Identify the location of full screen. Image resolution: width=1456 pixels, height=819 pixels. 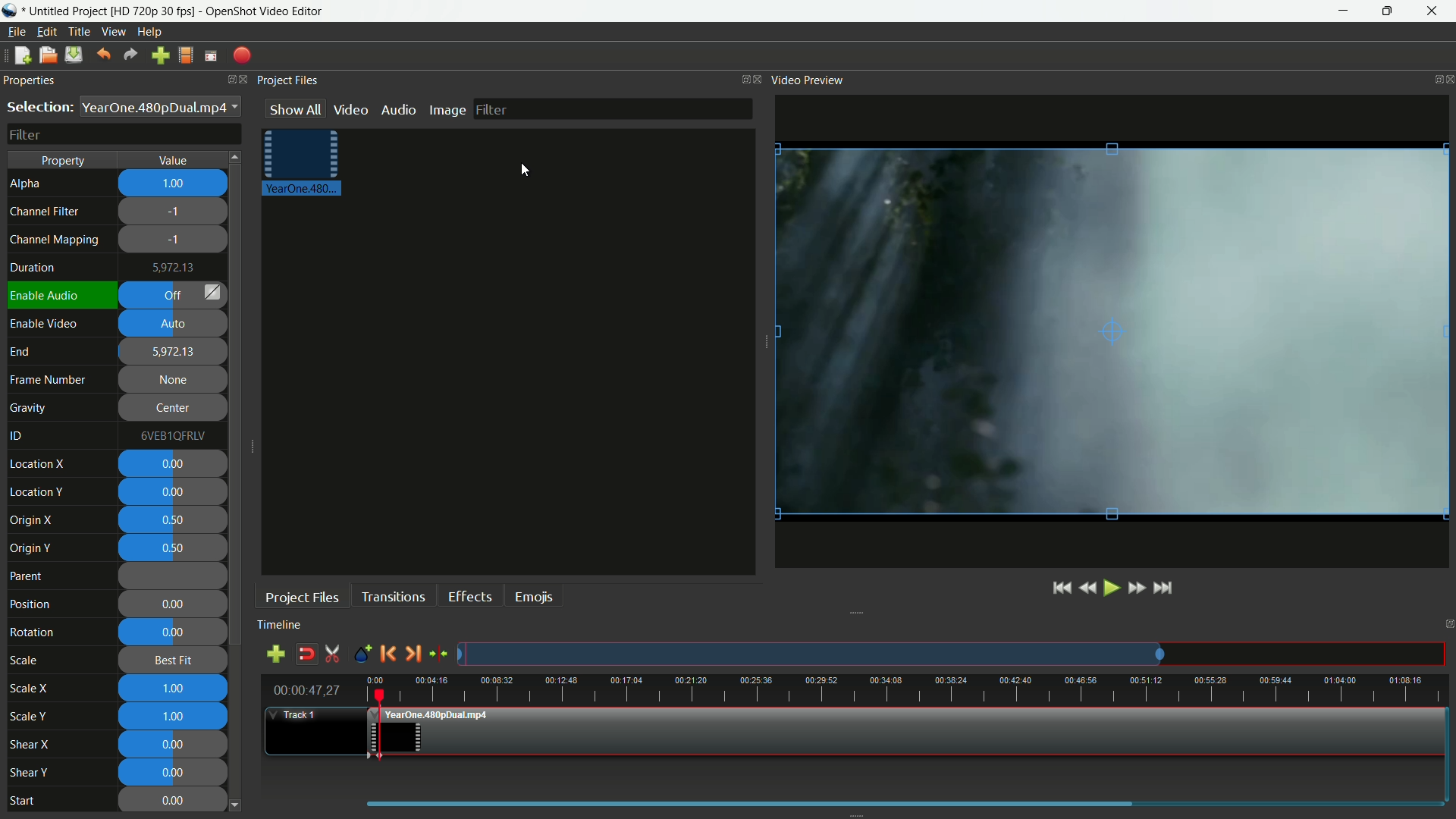
(211, 55).